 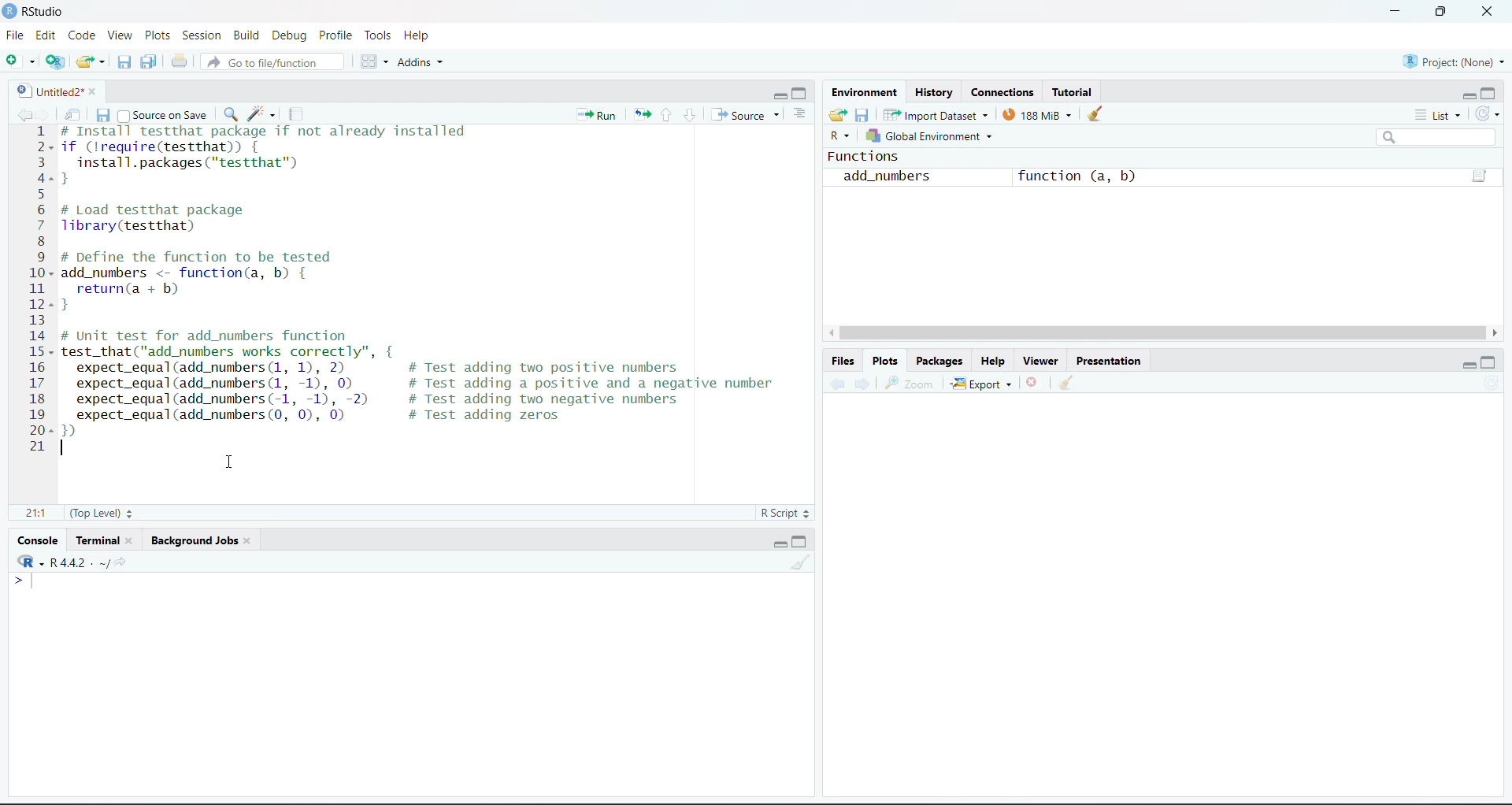 What do you see at coordinates (380, 33) in the screenshot?
I see `Tools` at bounding box center [380, 33].